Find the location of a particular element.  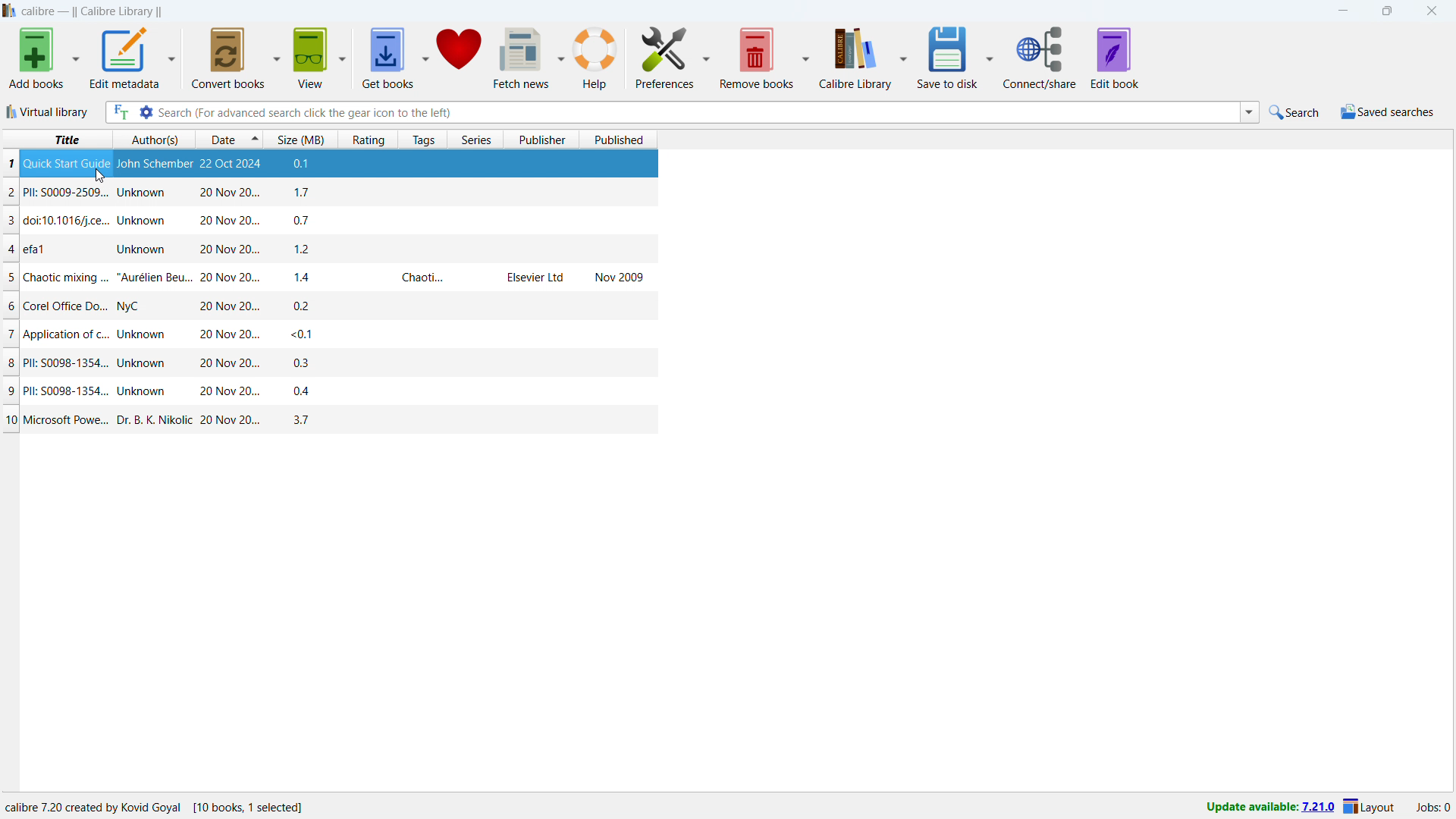

sort by rating is located at coordinates (367, 140).